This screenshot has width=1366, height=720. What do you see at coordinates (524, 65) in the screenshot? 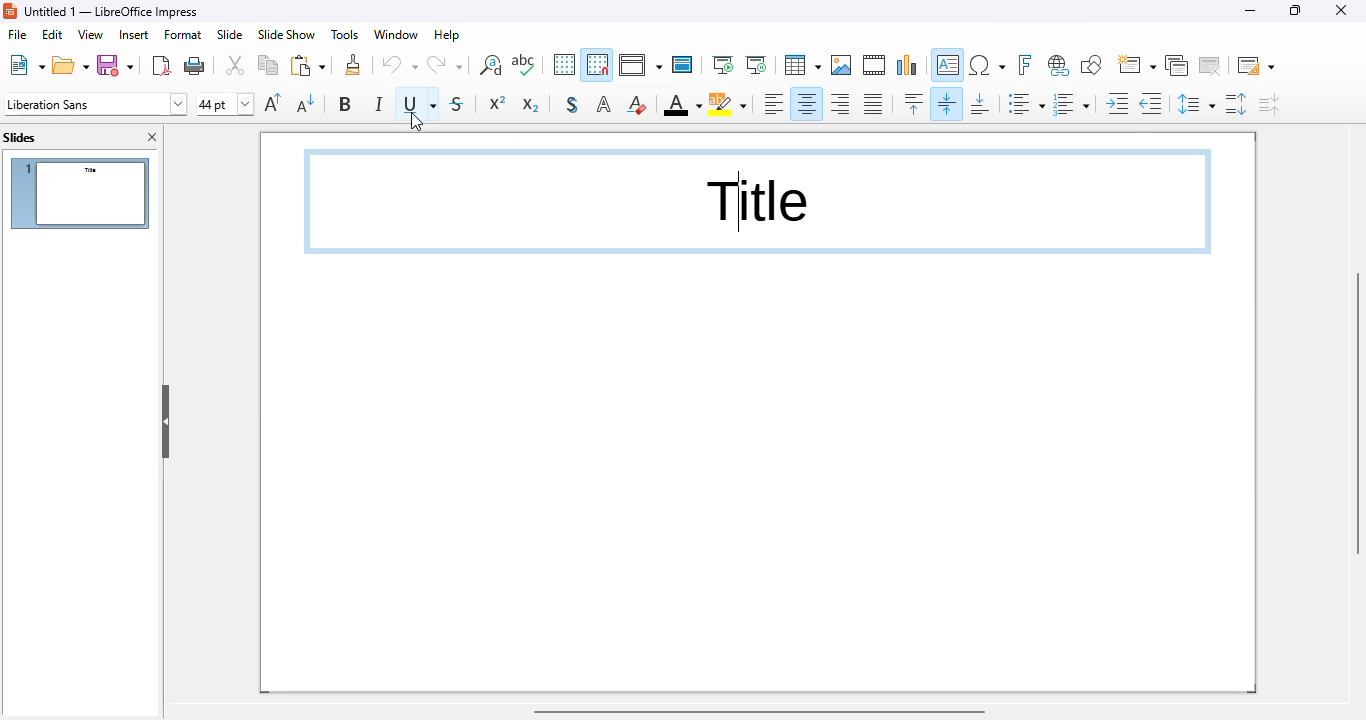
I see `spelling` at bounding box center [524, 65].